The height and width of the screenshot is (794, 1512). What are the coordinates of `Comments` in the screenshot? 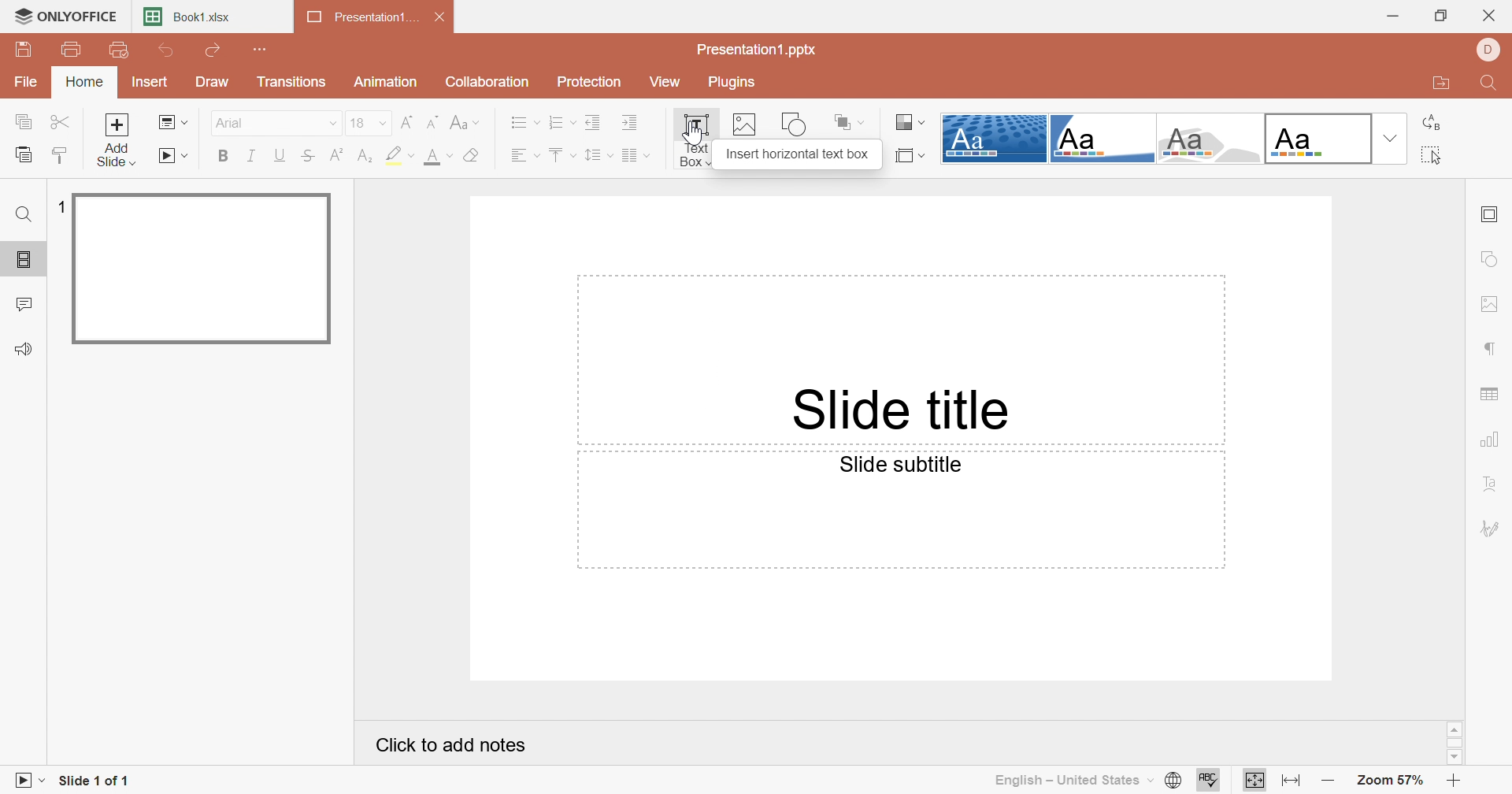 It's located at (26, 302).